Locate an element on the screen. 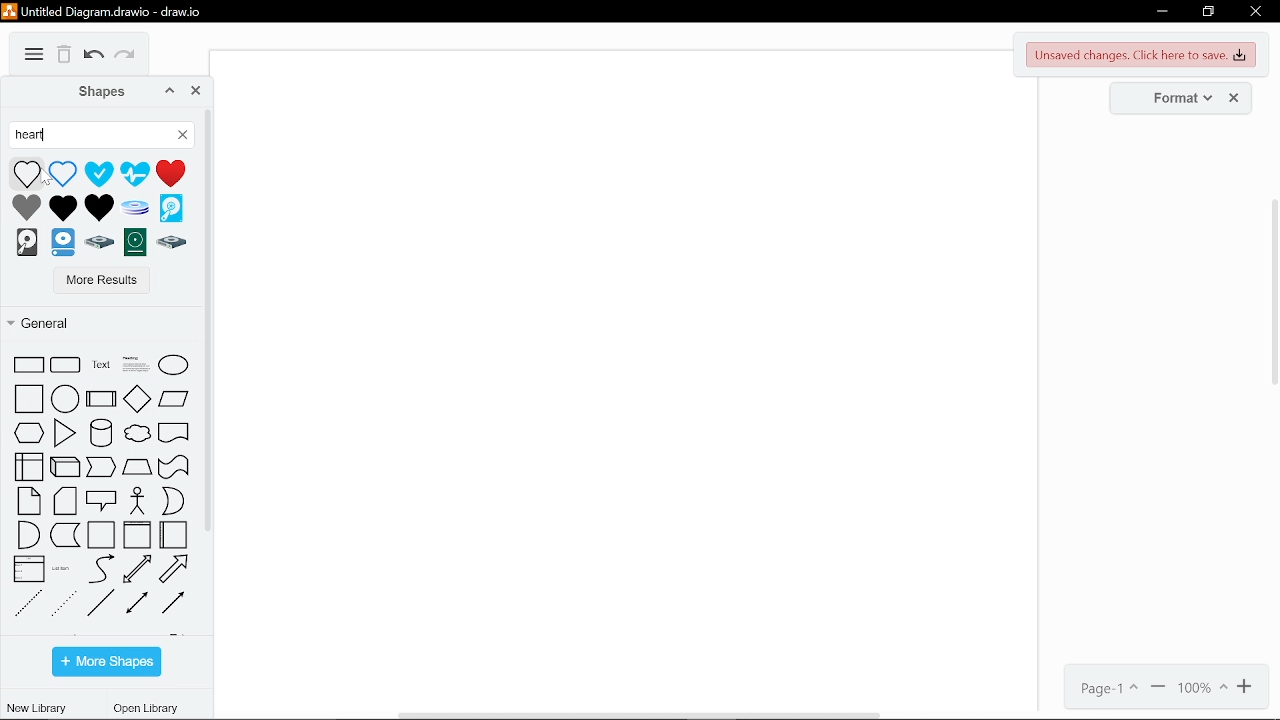 The width and height of the screenshot is (1280, 720). page1 is located at coordinates (1103, 688).